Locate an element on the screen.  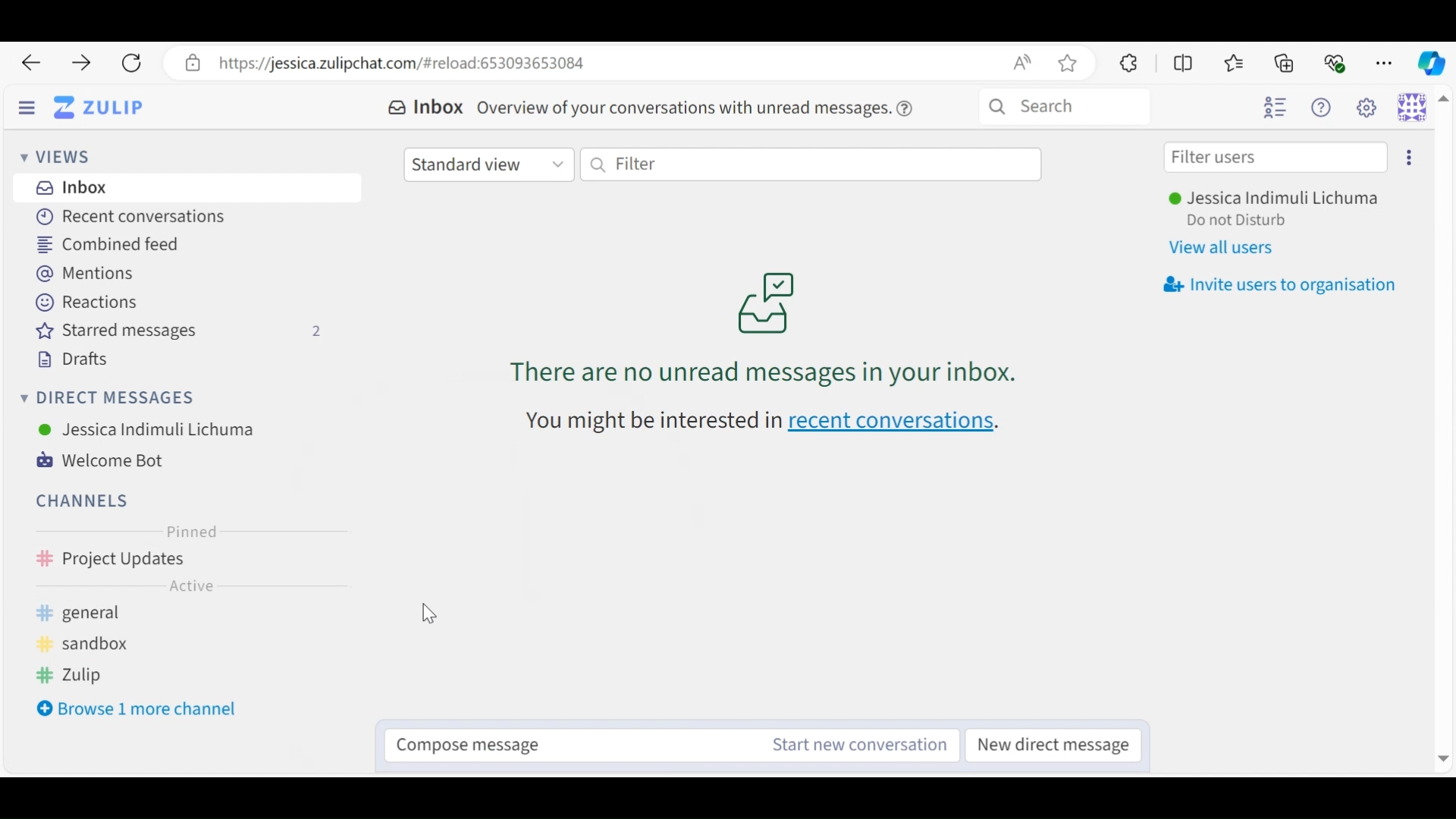
Reload is located at coordinates (130, 64).